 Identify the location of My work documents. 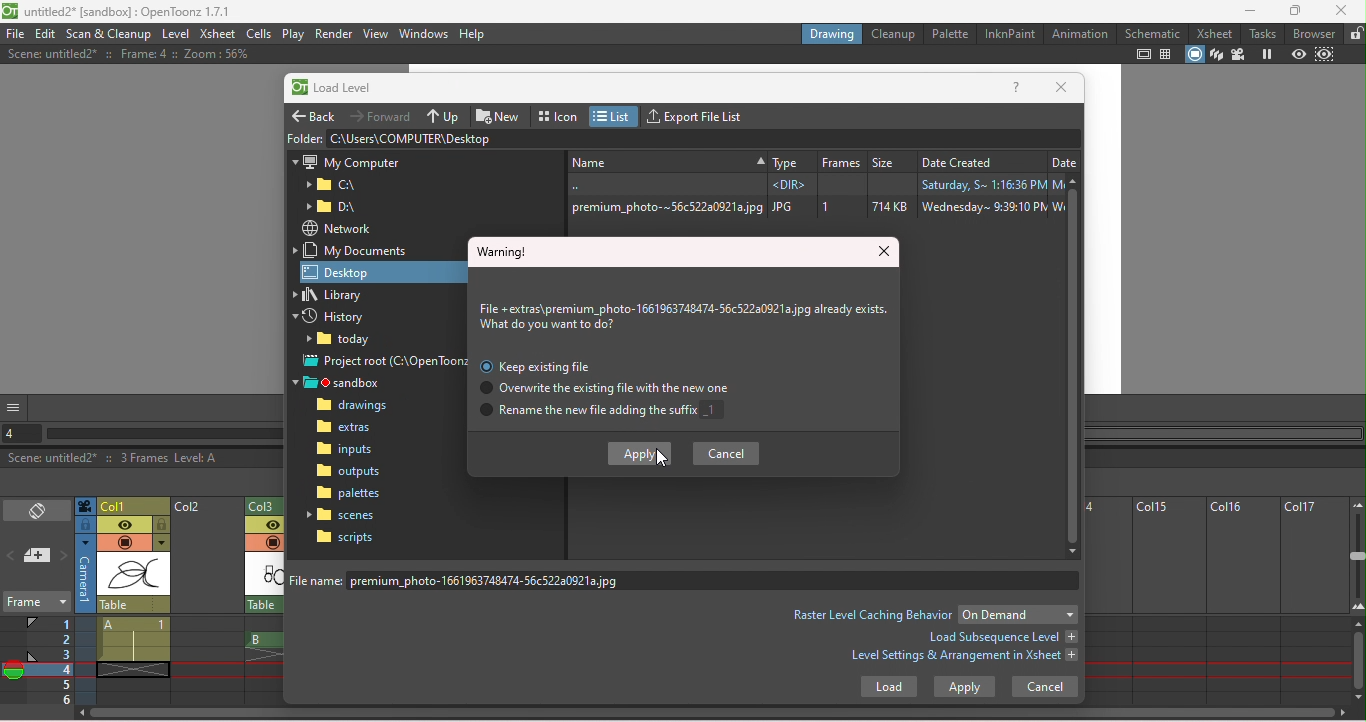
(356, 250).